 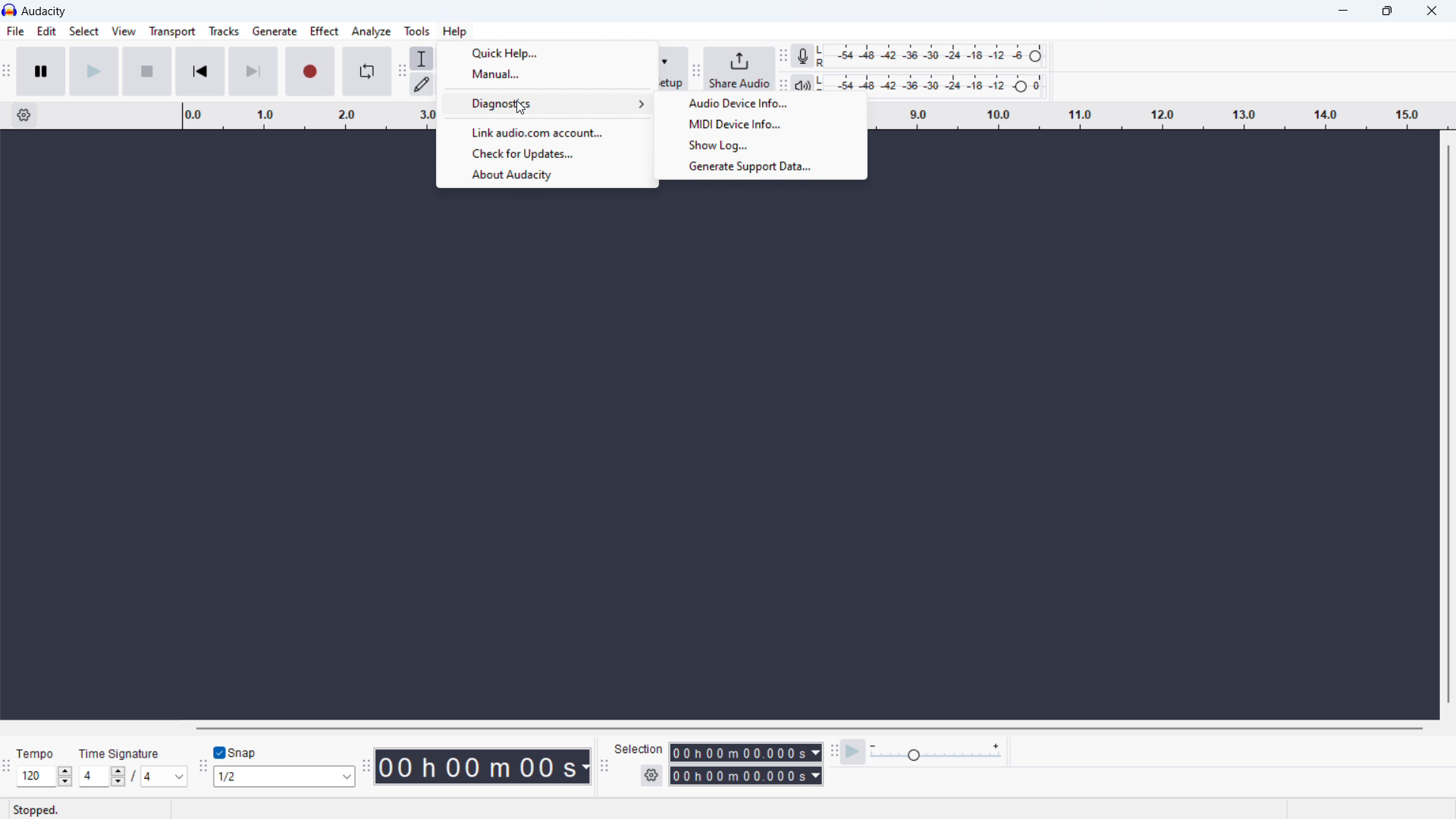 I want to click on skip to start, so click(x=200, y=71).